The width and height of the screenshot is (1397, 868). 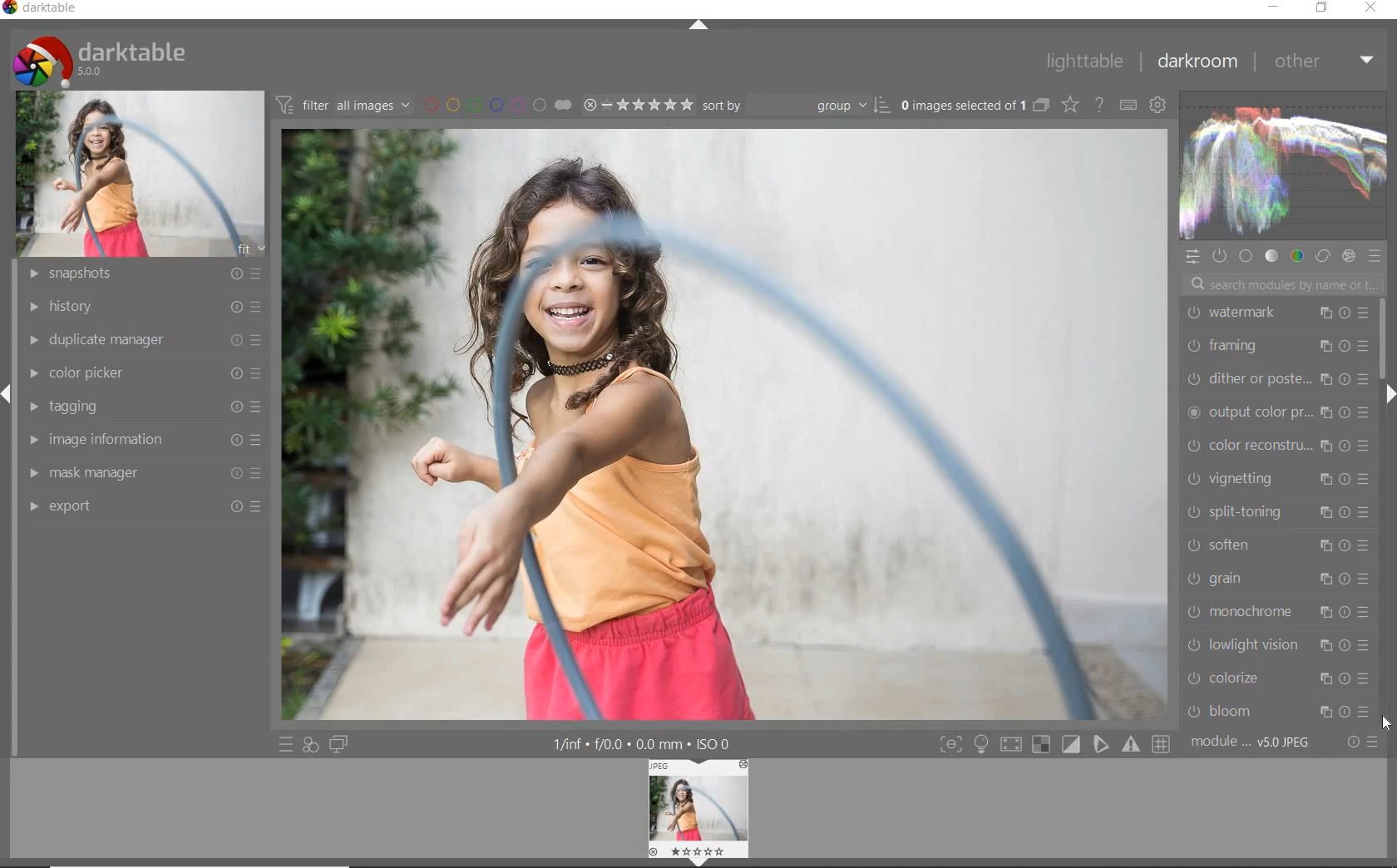 What do you see at coordinates (1193, 257) in the screenshot?
I see `quick access panel` at bounding box center [1193, 257].